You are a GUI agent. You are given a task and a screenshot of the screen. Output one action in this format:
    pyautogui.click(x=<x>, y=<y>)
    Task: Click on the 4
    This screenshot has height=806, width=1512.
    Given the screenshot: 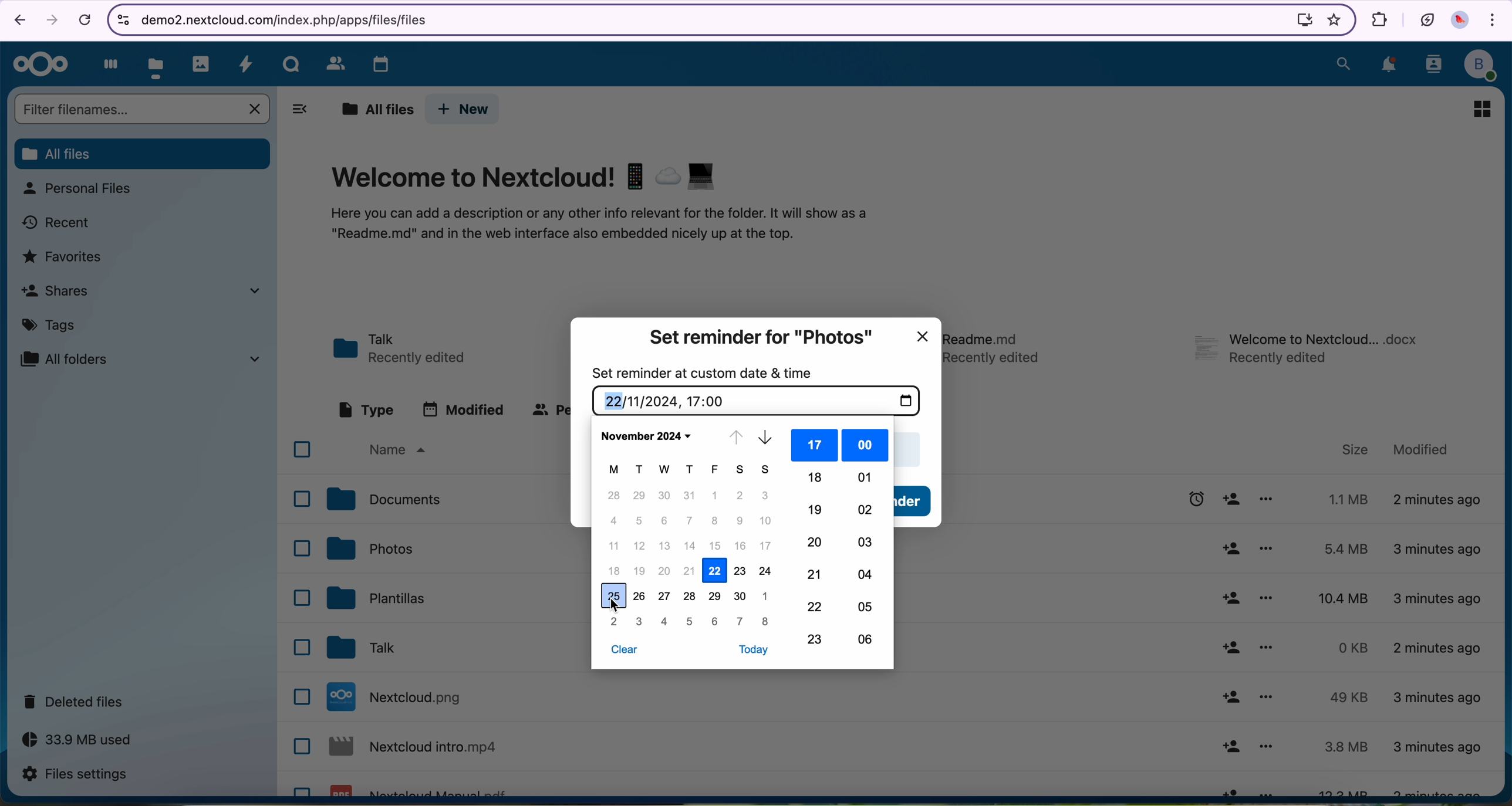 What is the action you would take?
    pyautogui.click(x=615, y=520)
    